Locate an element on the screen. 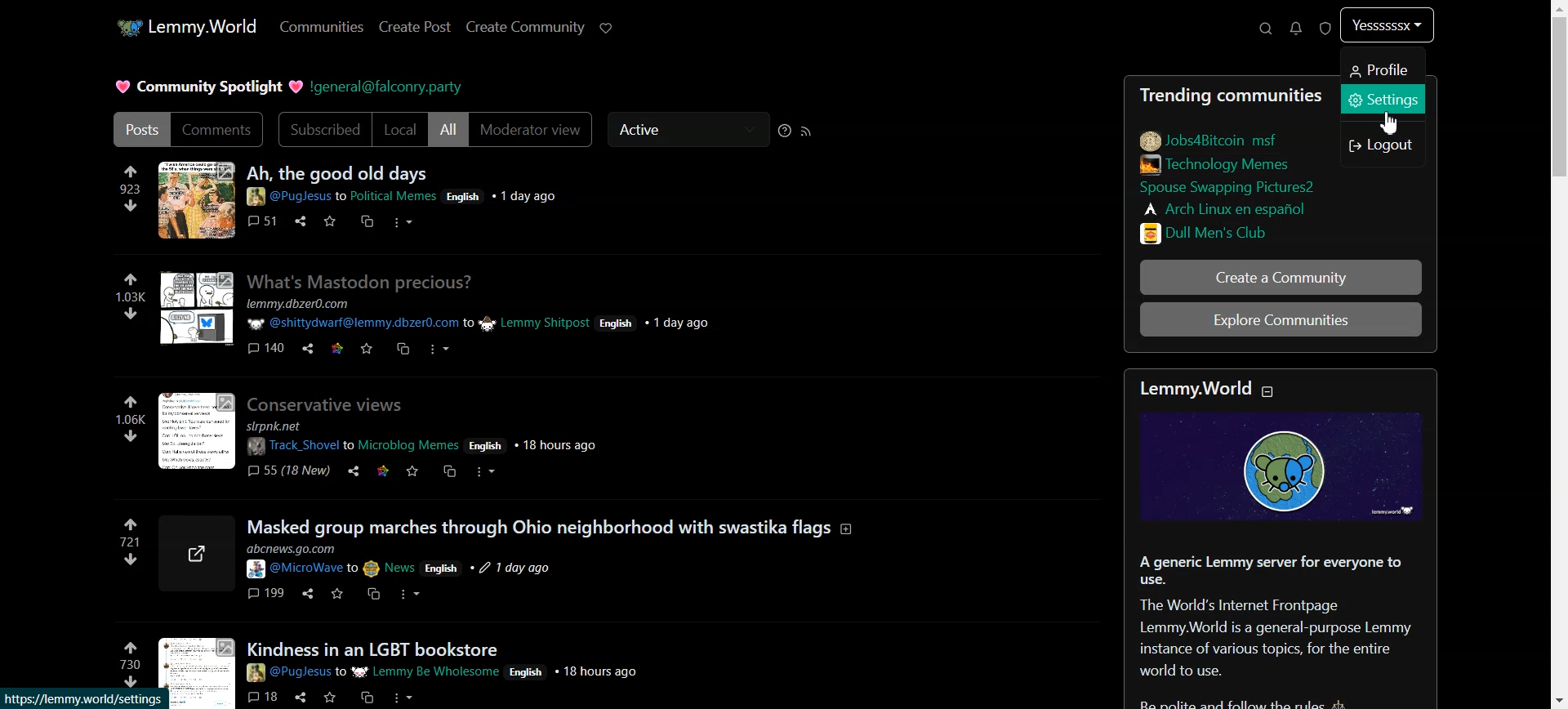 The height and width of the screenshot is (709, 1568). save is located at coordinates (337, 594).